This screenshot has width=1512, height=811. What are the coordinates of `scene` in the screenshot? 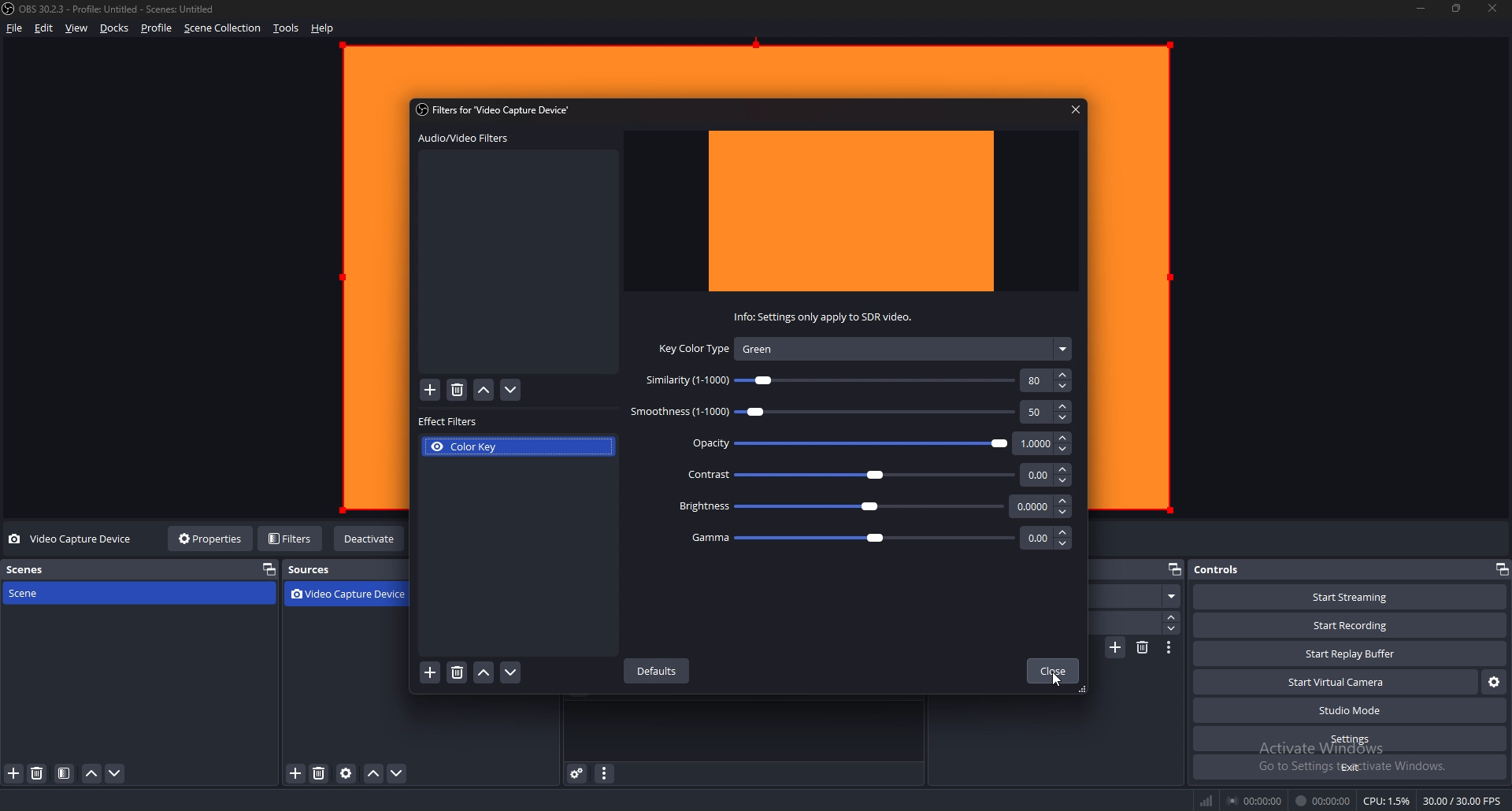 It's located at (73, 593).